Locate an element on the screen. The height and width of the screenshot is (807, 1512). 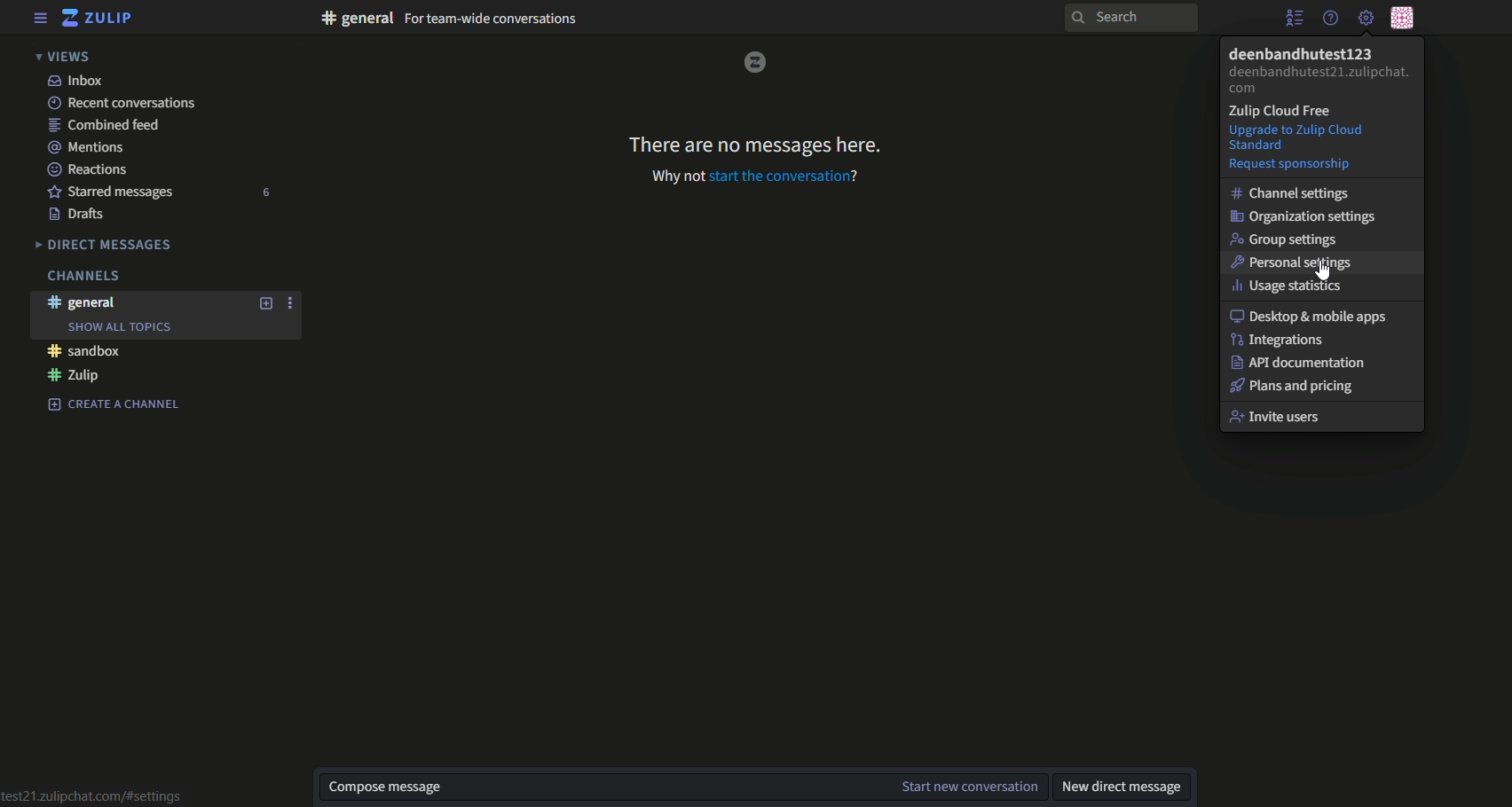
combined feed is located at coordinates (108, 124).